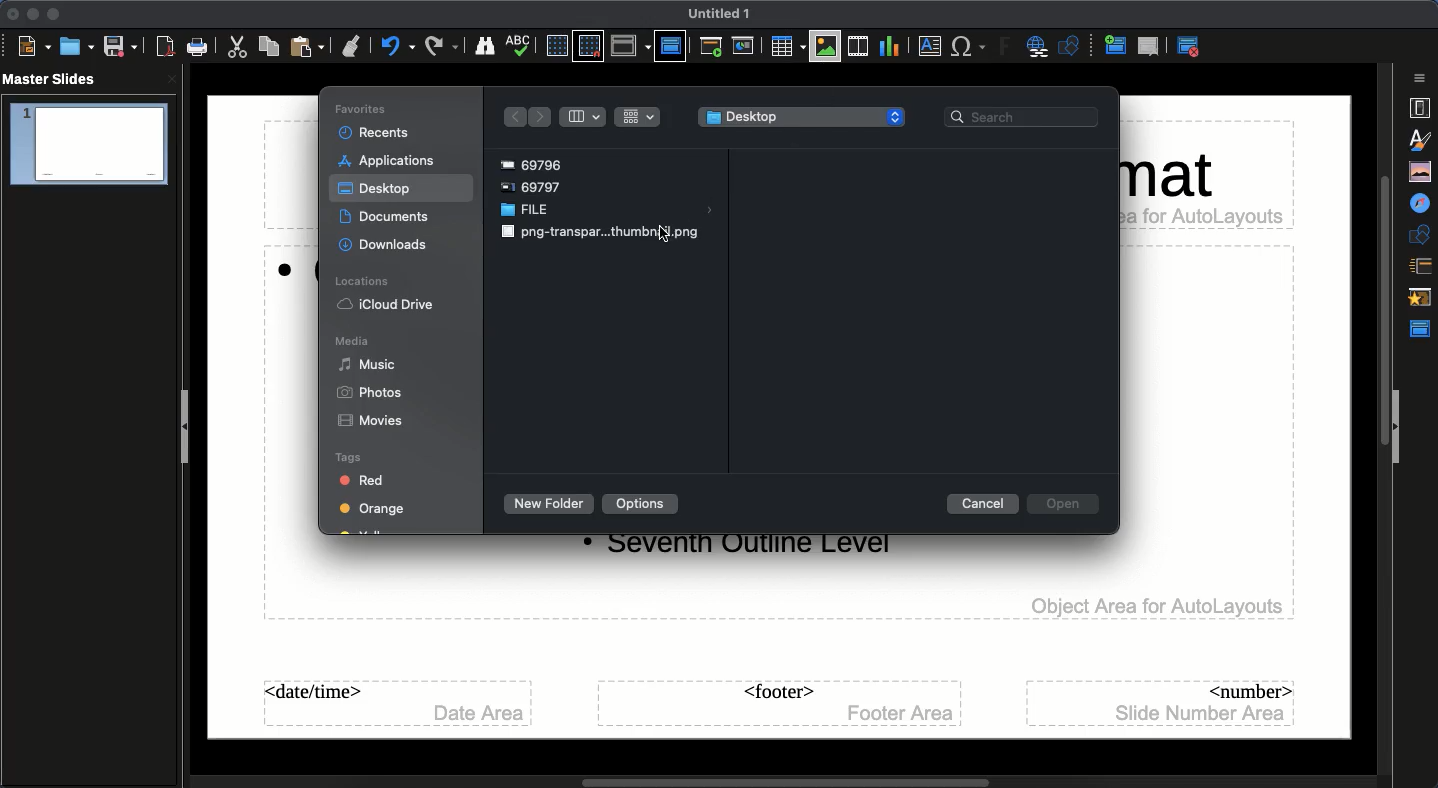 This screenshot has width=1438, height=788. Describe the element at coordinates (391, 162) in the screenshot. I see `Applications` at that location.